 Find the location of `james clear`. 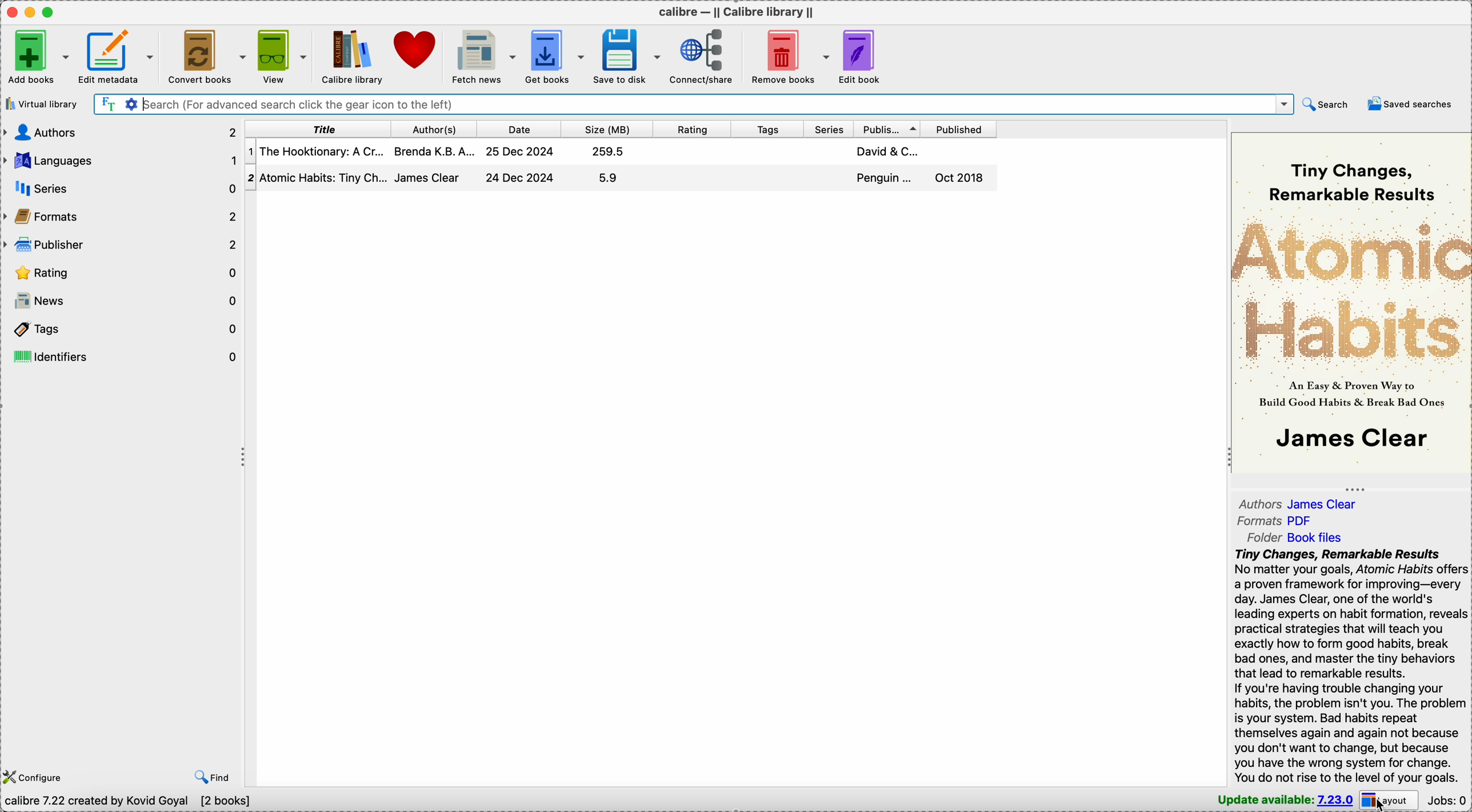

james clear is located at coordinates (428, 178).